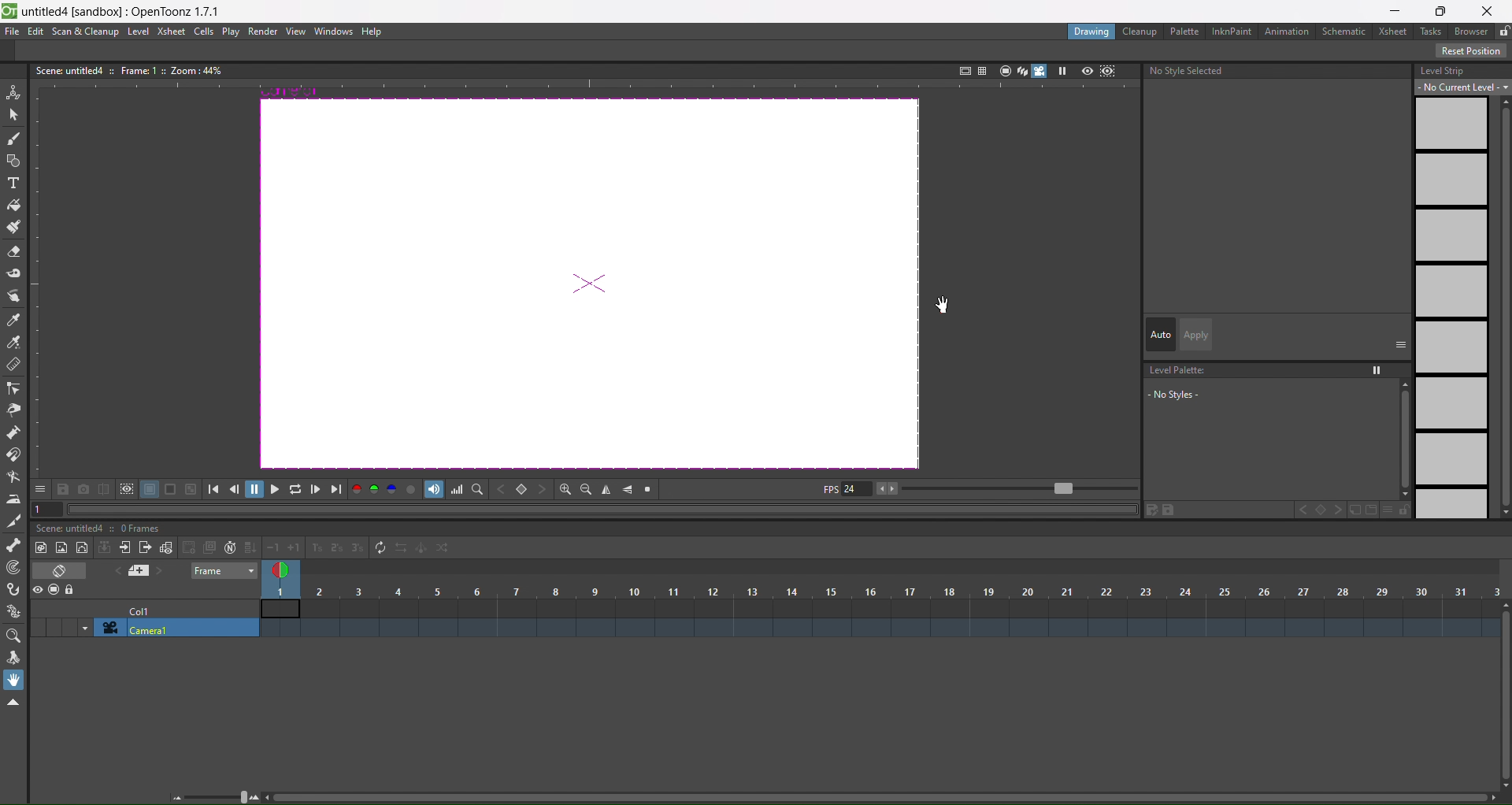 Image resolution: width=1512 pixels, height=805 pixels. What do you see at coordinates (13, 499) in the screenshot?
I see `iron tool` at bounding box center [13, 499].